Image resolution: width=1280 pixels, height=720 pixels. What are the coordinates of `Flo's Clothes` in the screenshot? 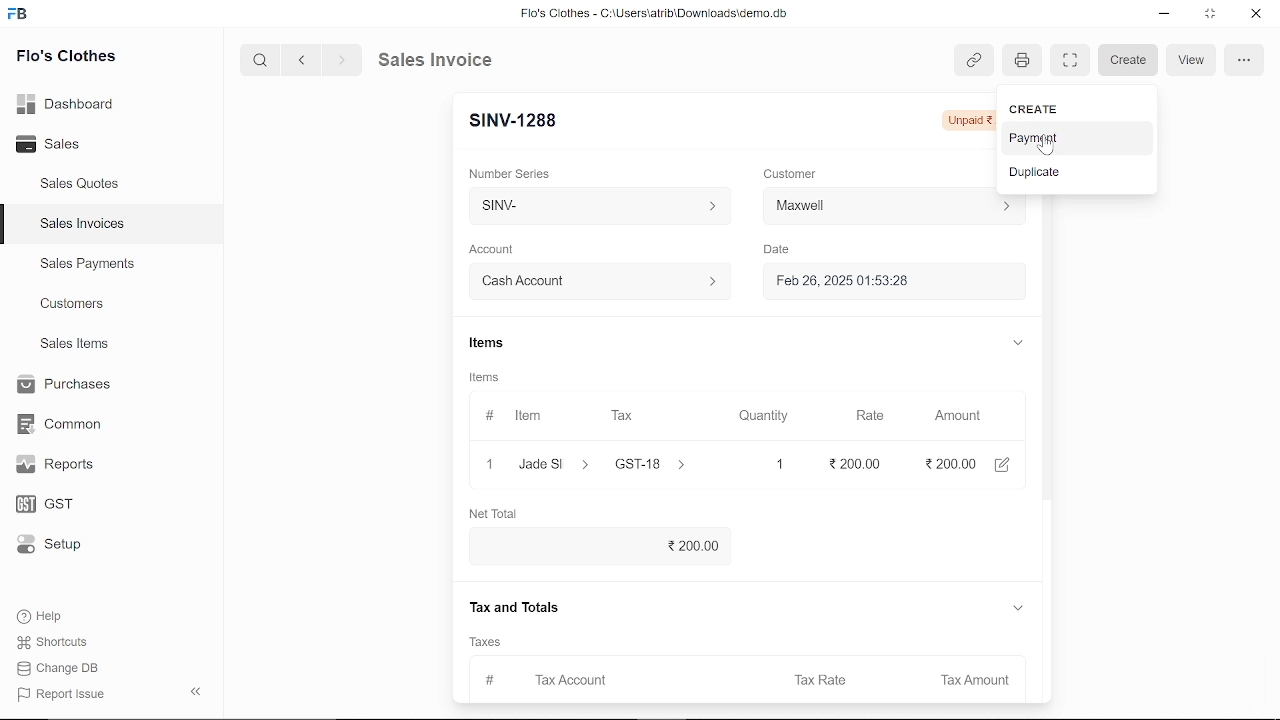 It's located at (66, 58).